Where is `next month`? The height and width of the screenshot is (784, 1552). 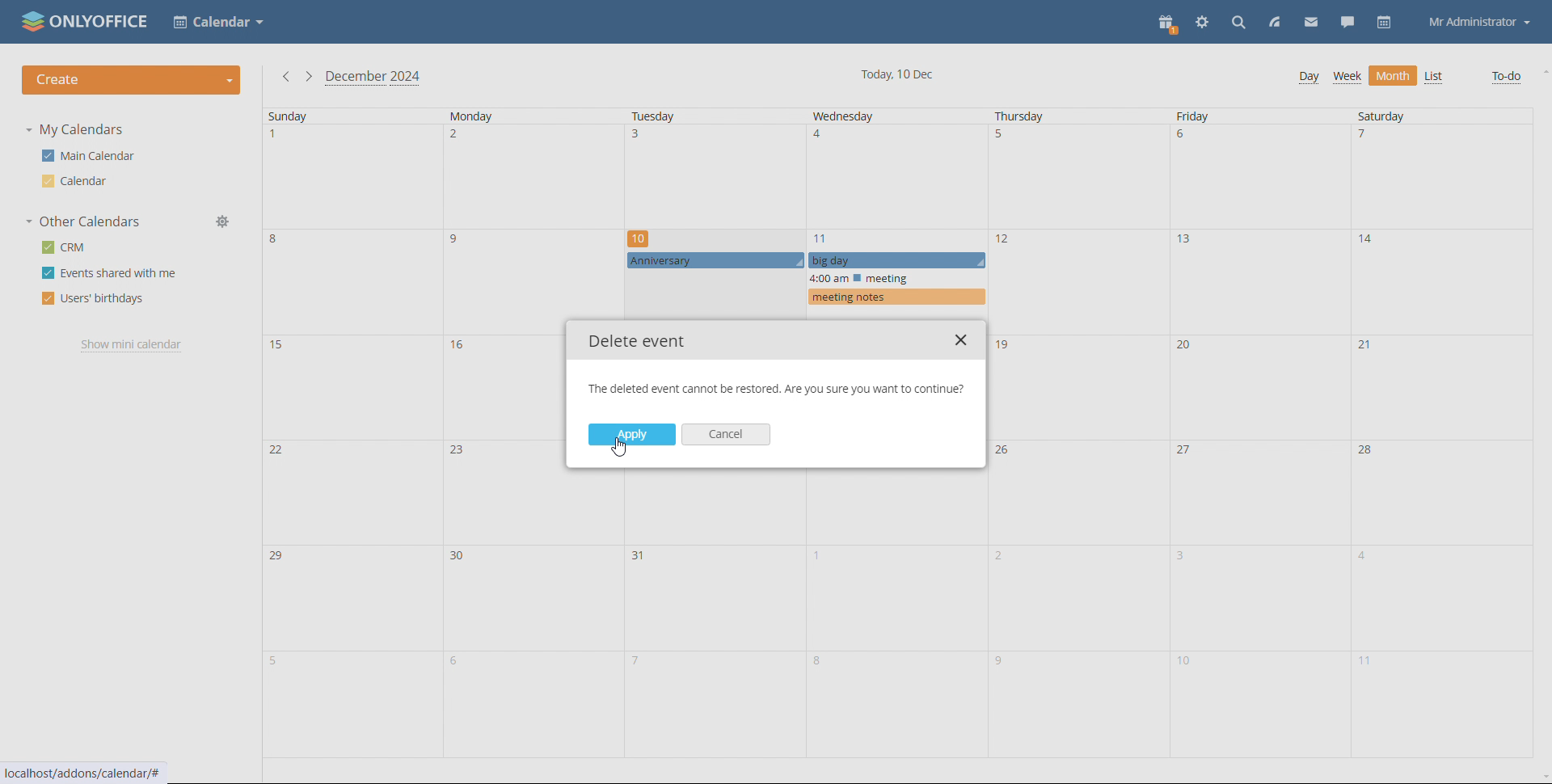 next month is located at coordinates (309, 76).